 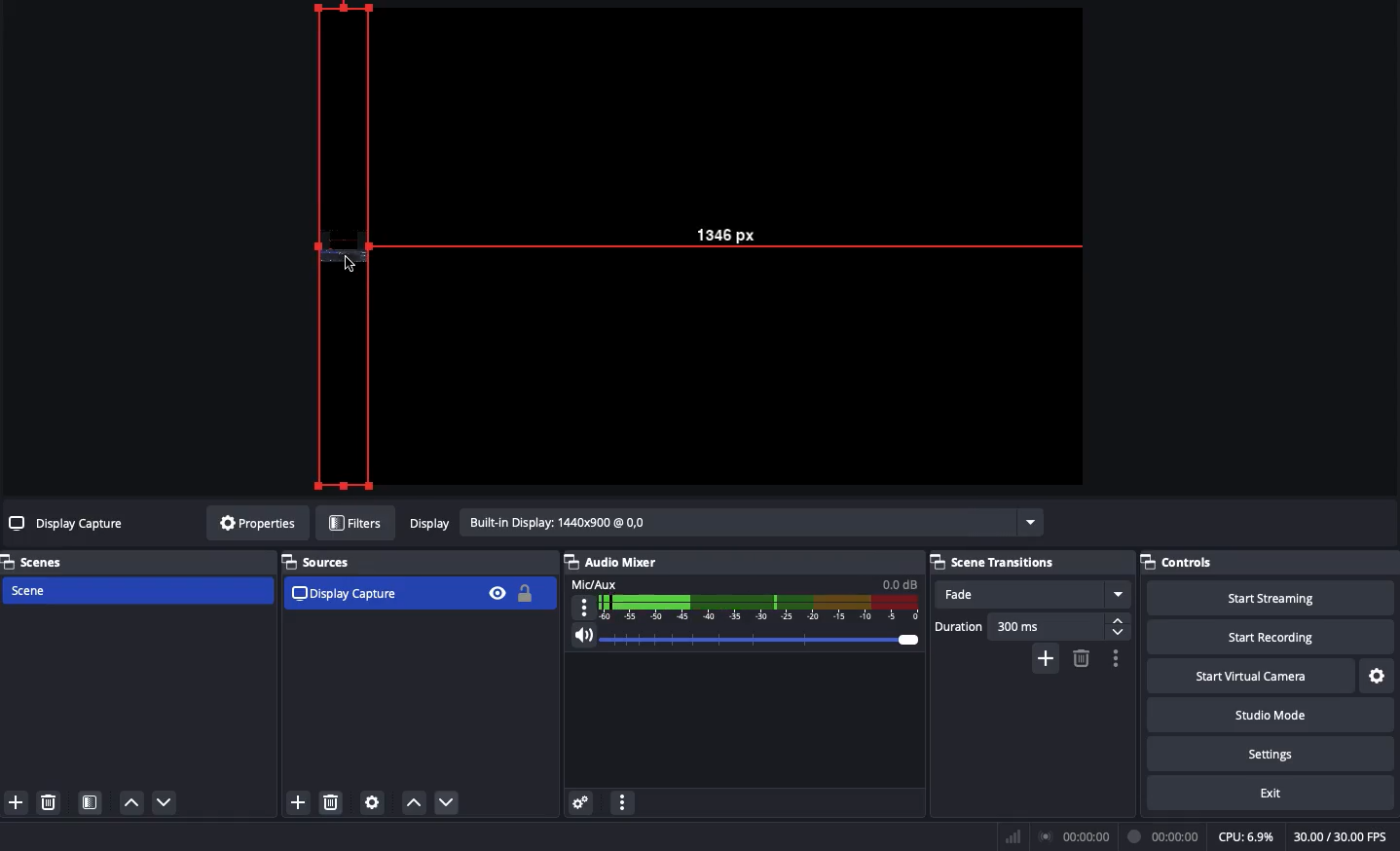 I want to click on Add, so click(x=297, y=804).